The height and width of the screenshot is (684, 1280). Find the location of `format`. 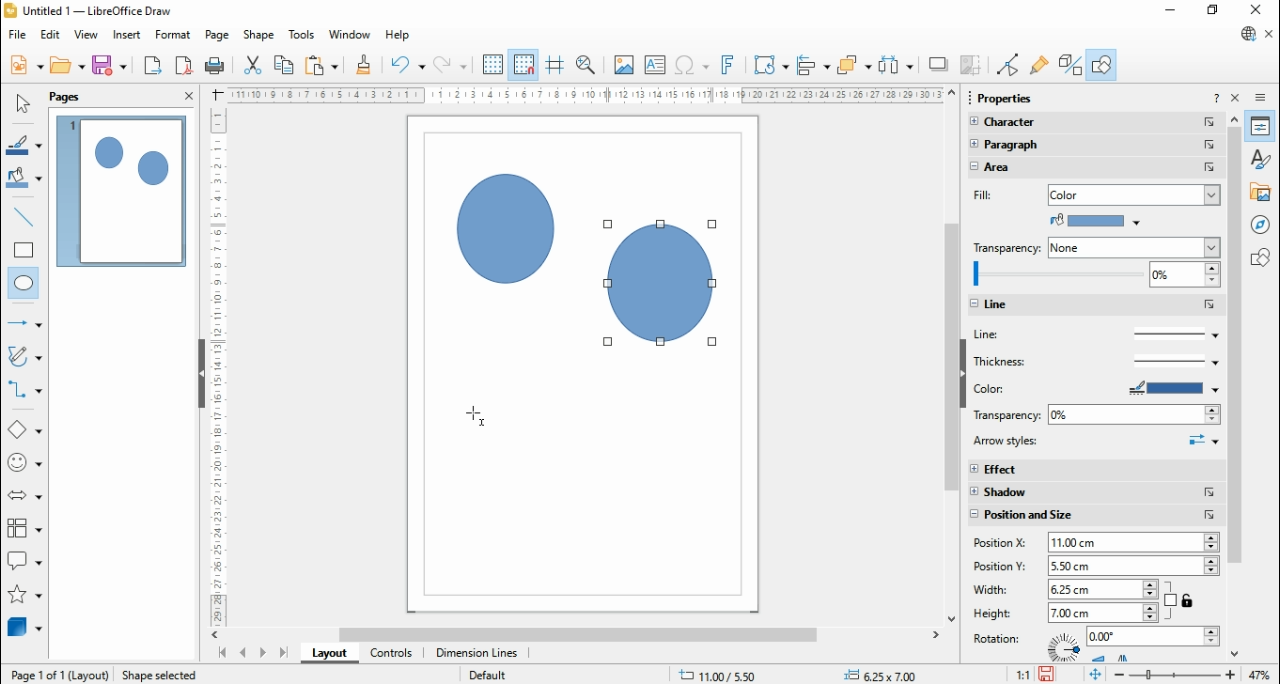

format is located at coordinates (174, 35).